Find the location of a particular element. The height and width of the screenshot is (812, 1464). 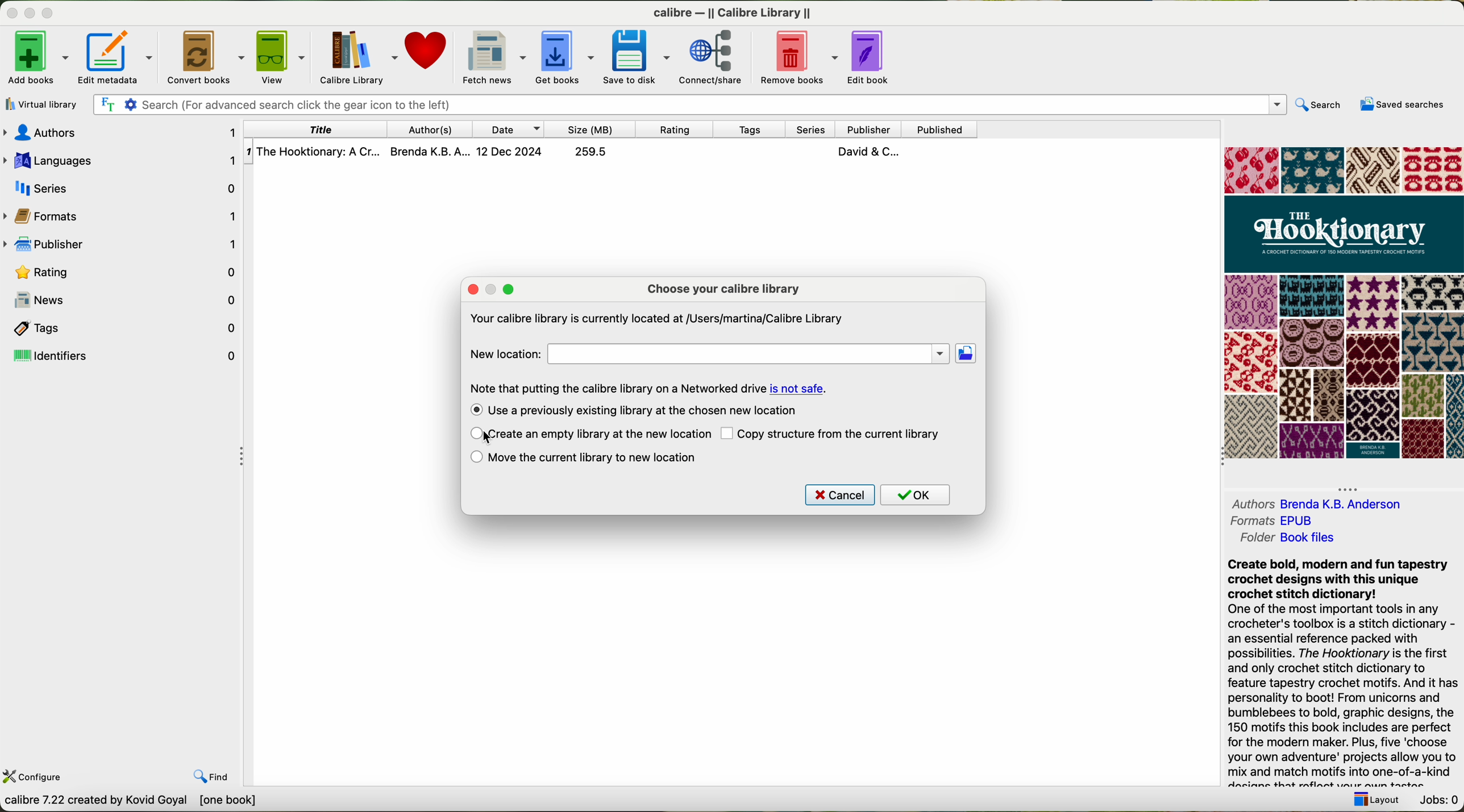

copy structure from the current  library is located at coordinates (841, 435).